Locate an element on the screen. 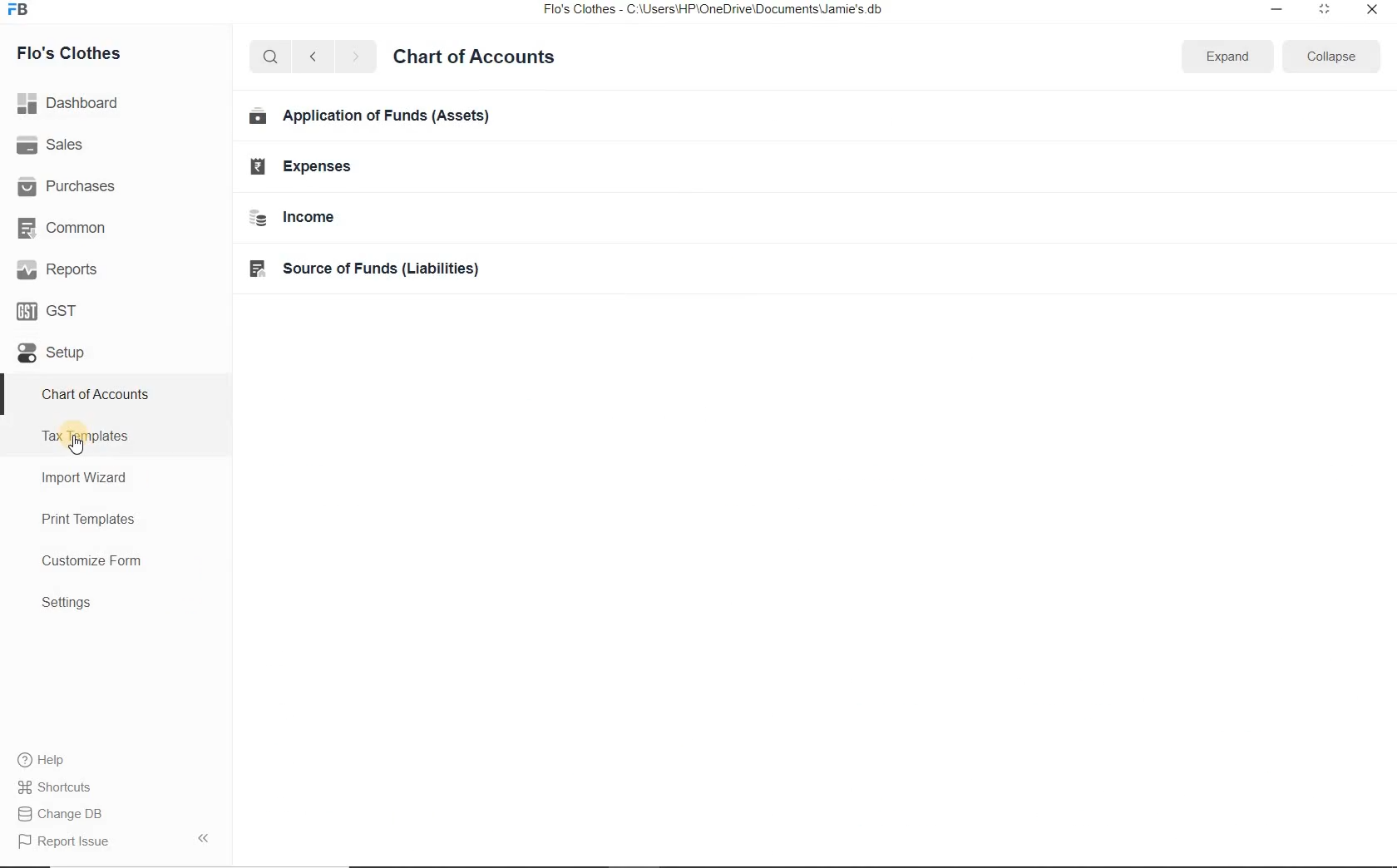 The height and width of the screenshot is (868, 1397). GST is located at coordinates (116, 308).